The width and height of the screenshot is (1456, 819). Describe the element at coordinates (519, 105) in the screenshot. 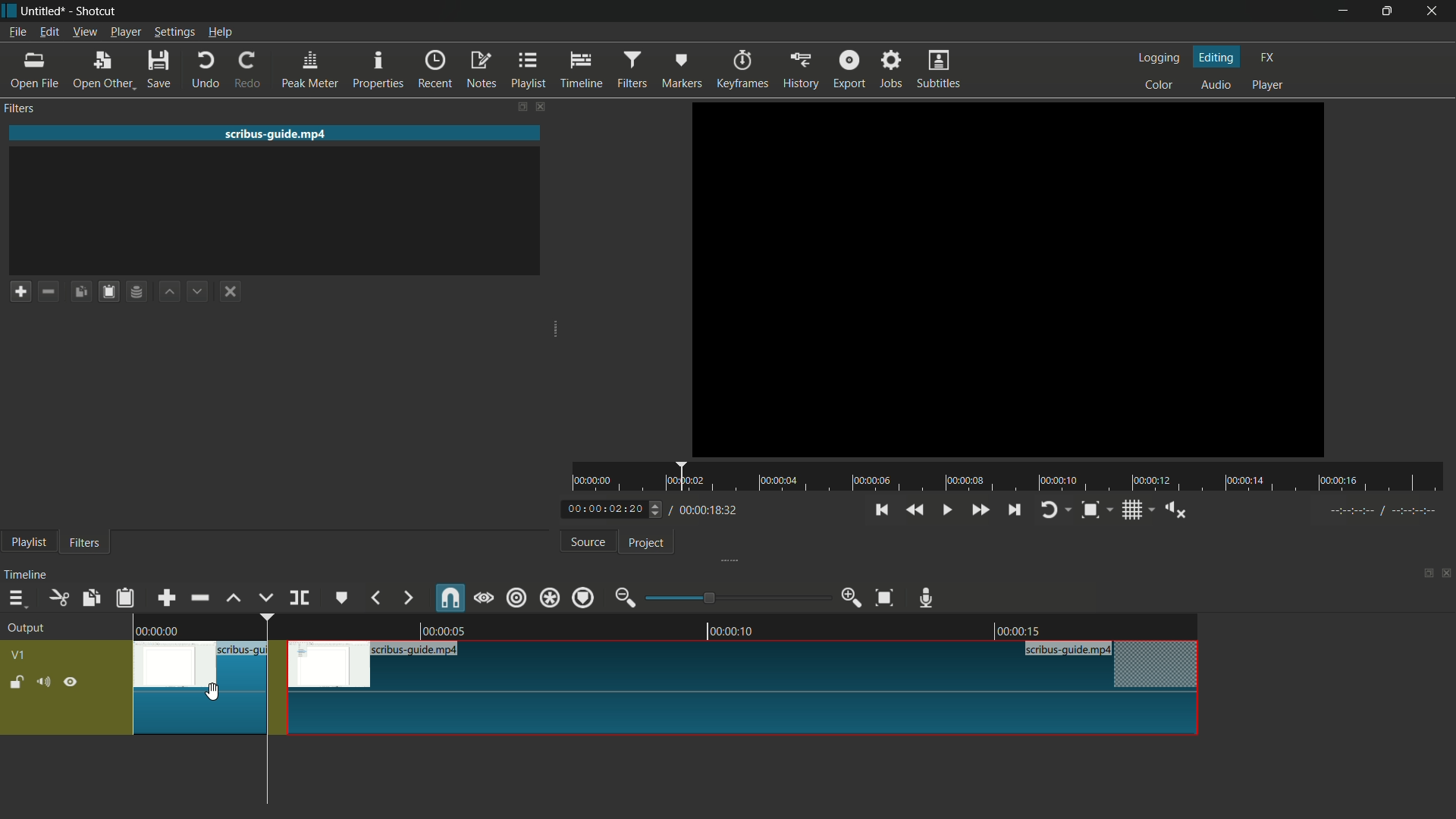

I see `change layout` at that location.